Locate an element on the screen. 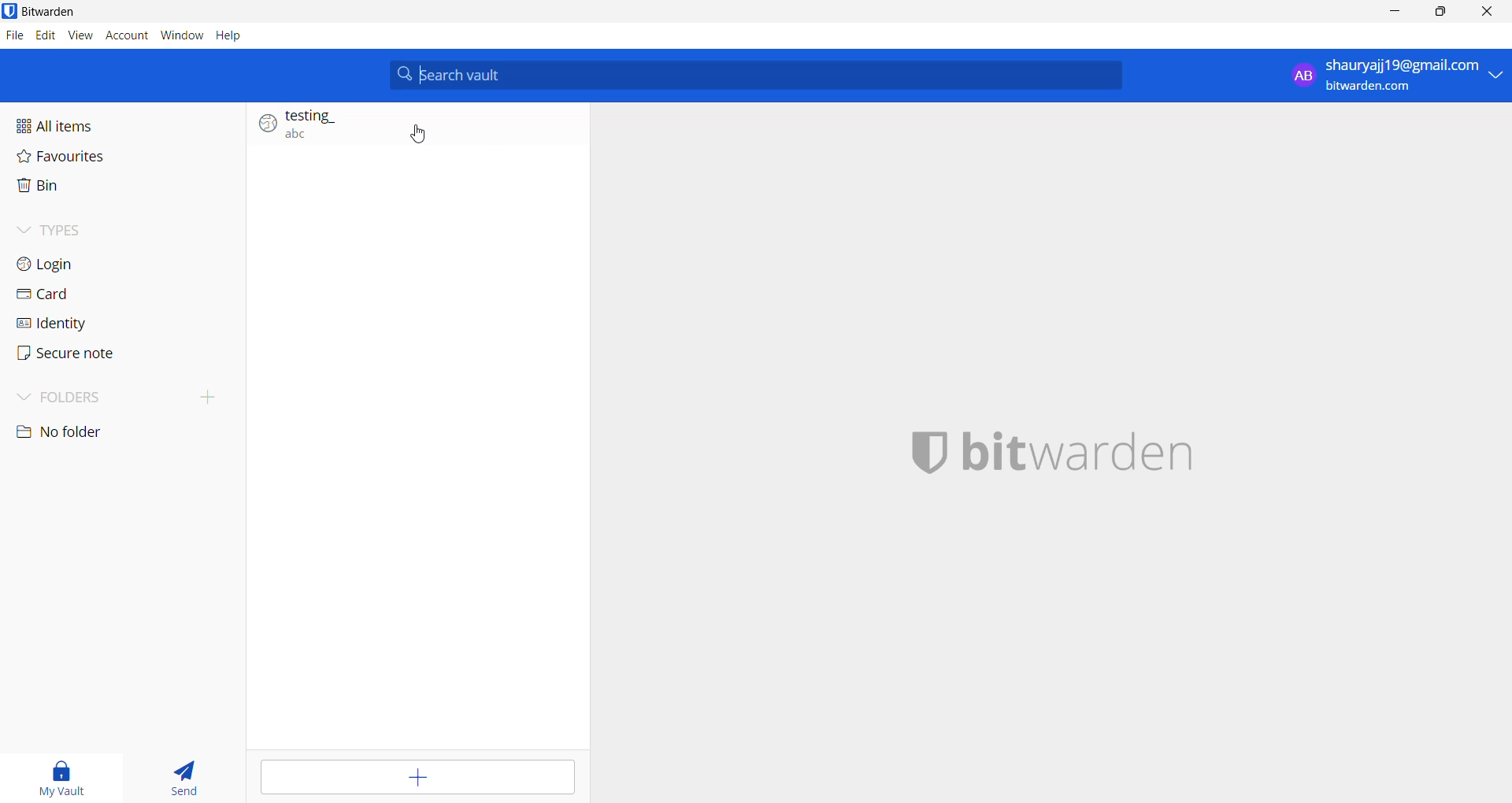 This screenshot has height=803, width=1512. My vault is located at coordinates (69, 774).